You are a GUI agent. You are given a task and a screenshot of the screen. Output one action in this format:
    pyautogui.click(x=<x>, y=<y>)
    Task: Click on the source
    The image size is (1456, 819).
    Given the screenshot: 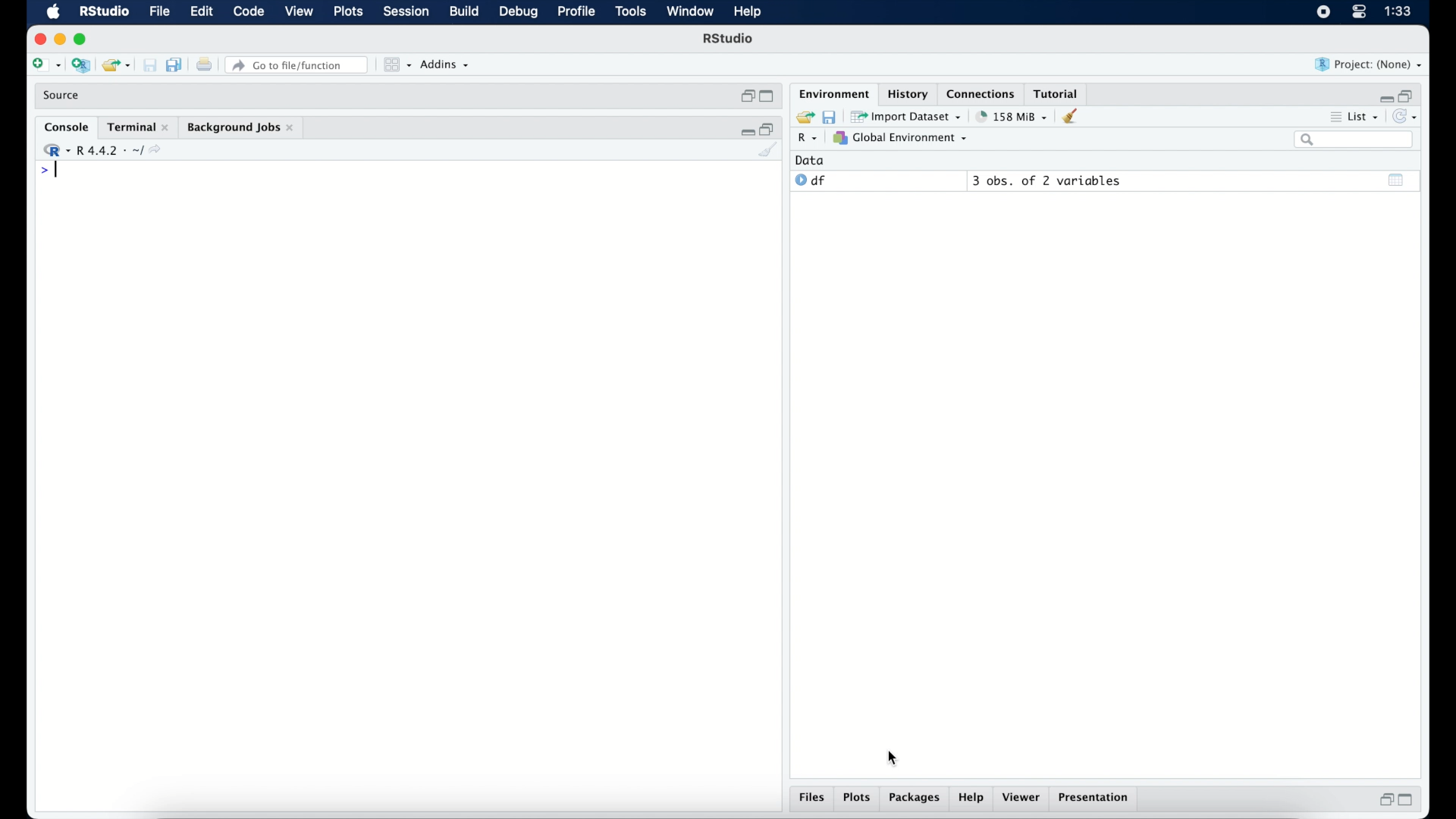 What is the action you would take?
    pyautogui.click(x=64, y=96)
    